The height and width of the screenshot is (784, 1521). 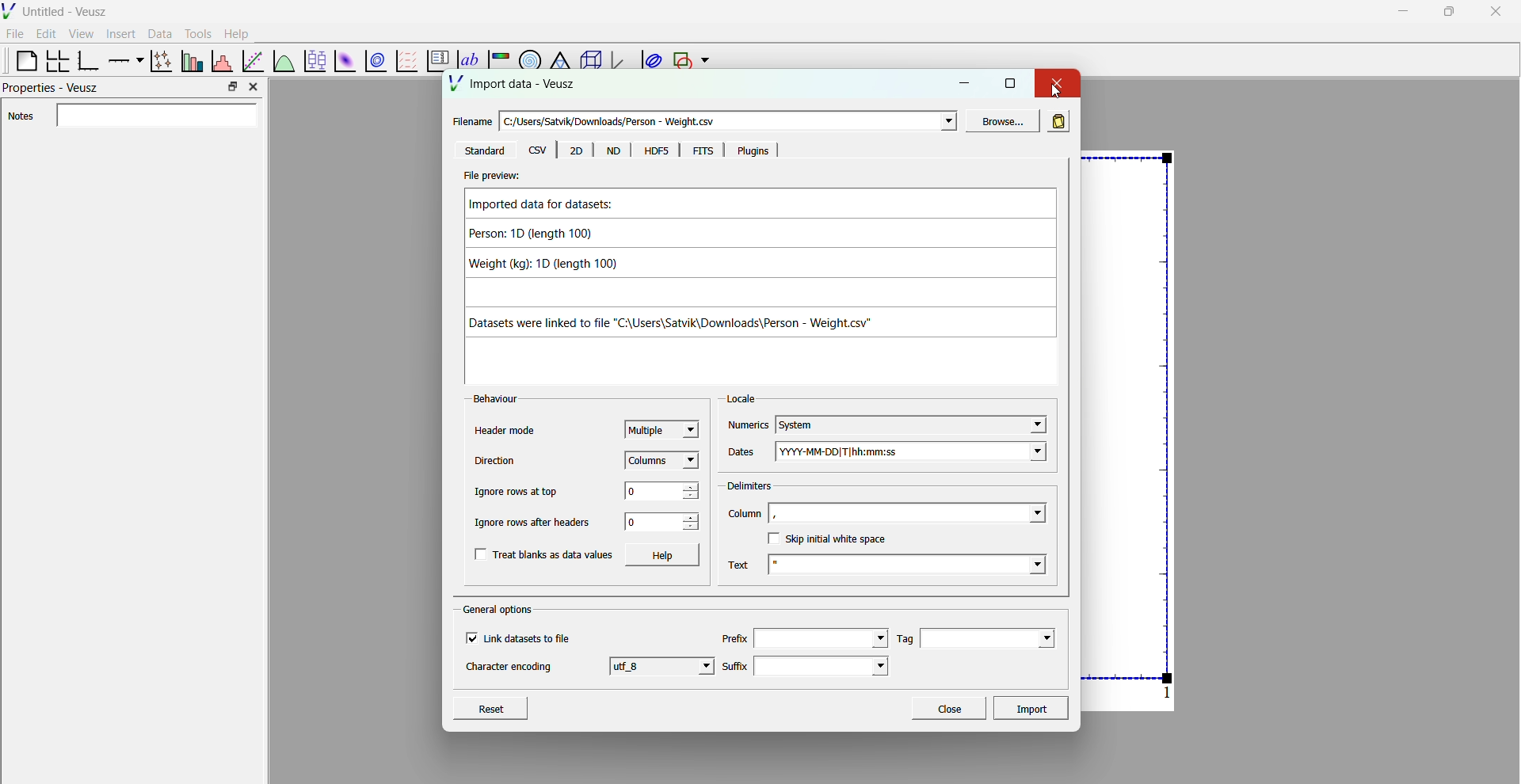 What do you see at coordinates (575, 150) in the screenshot?
I see `2D` at bounding box center [575, 150].